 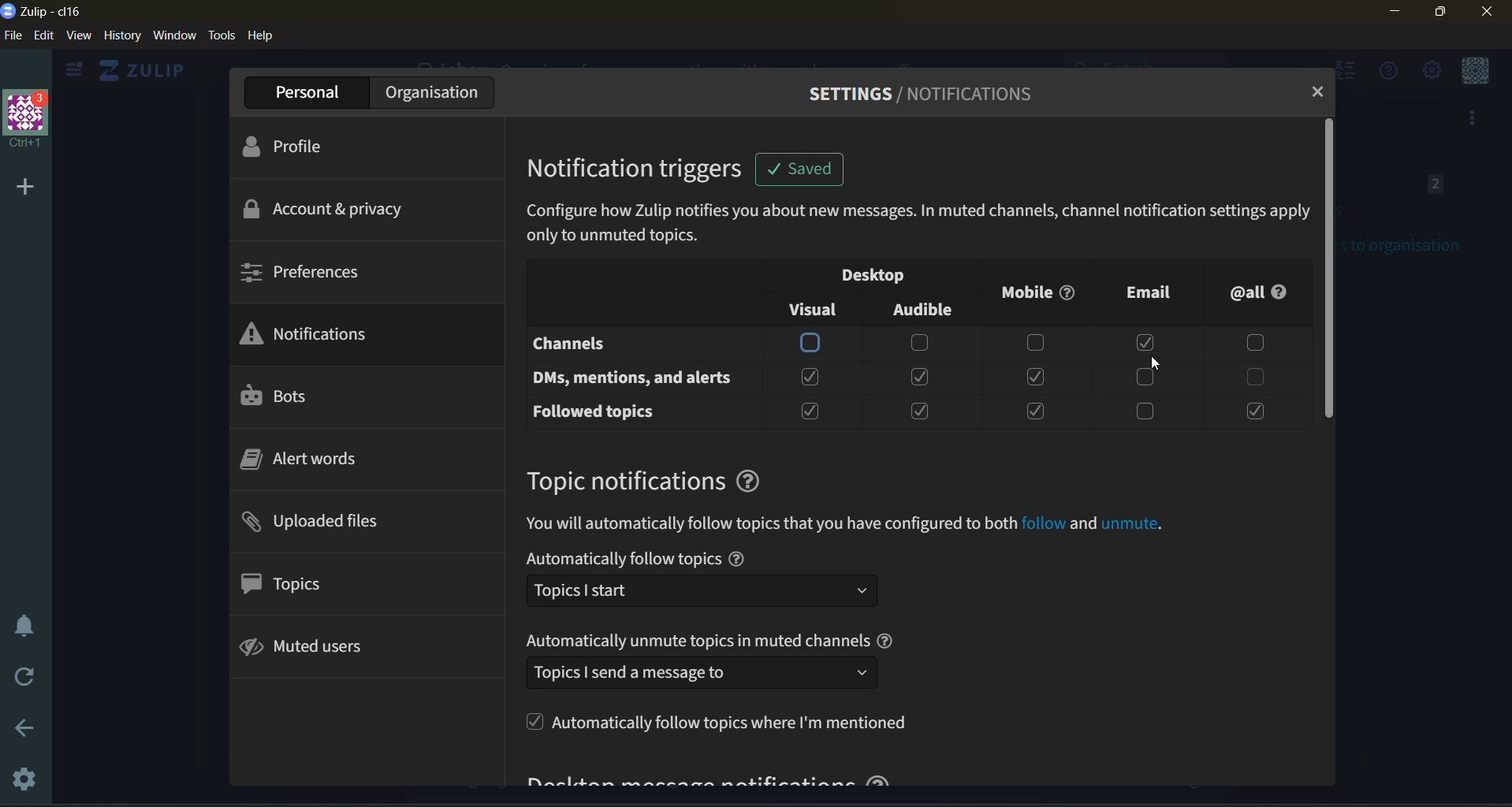 What do you see at coordinates (803, 169) in the screenshot?
I see `Notification (saved)` at bounding box center [803, 169].